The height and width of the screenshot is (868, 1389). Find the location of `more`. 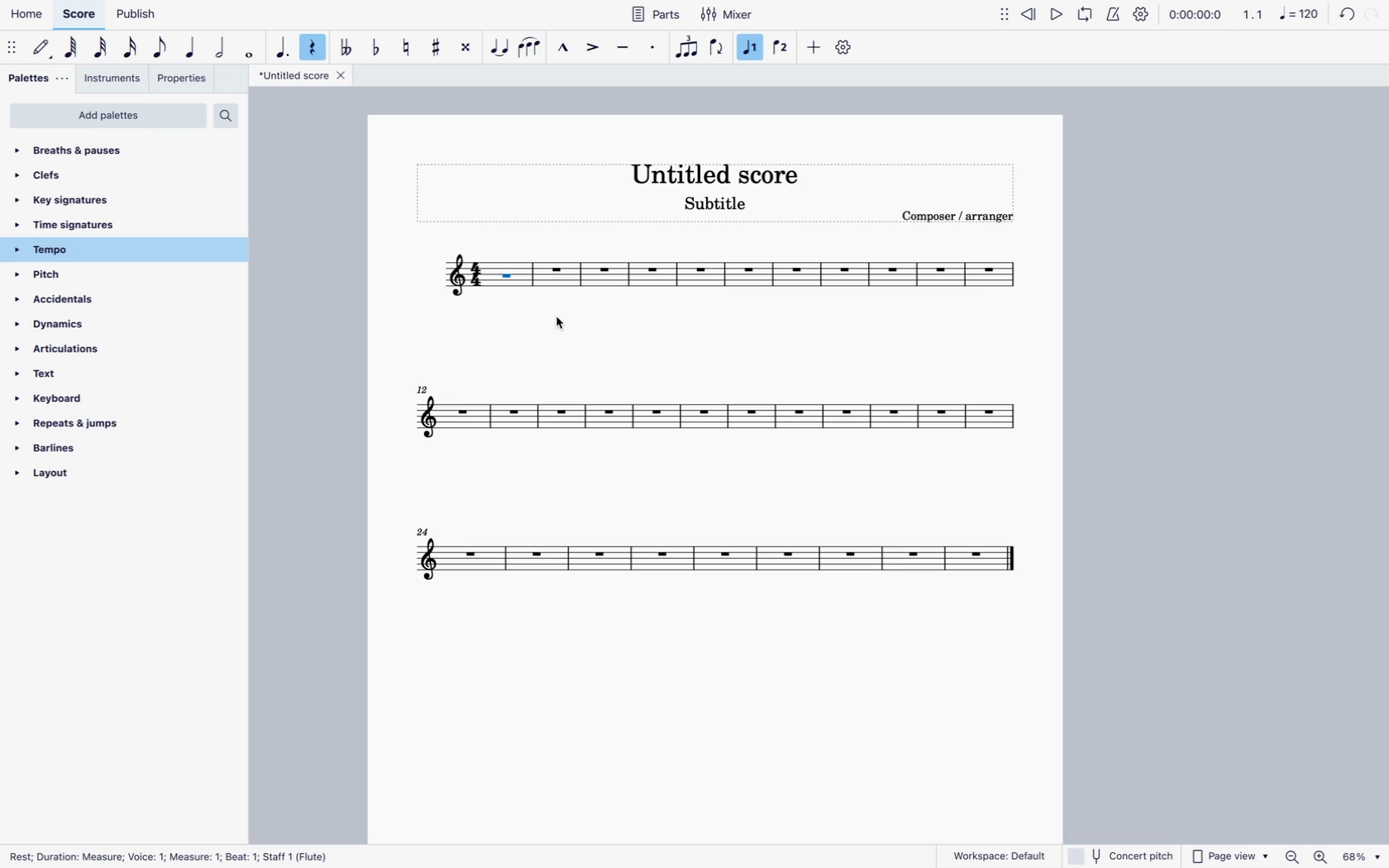

more is located at coordinates (815, 46).